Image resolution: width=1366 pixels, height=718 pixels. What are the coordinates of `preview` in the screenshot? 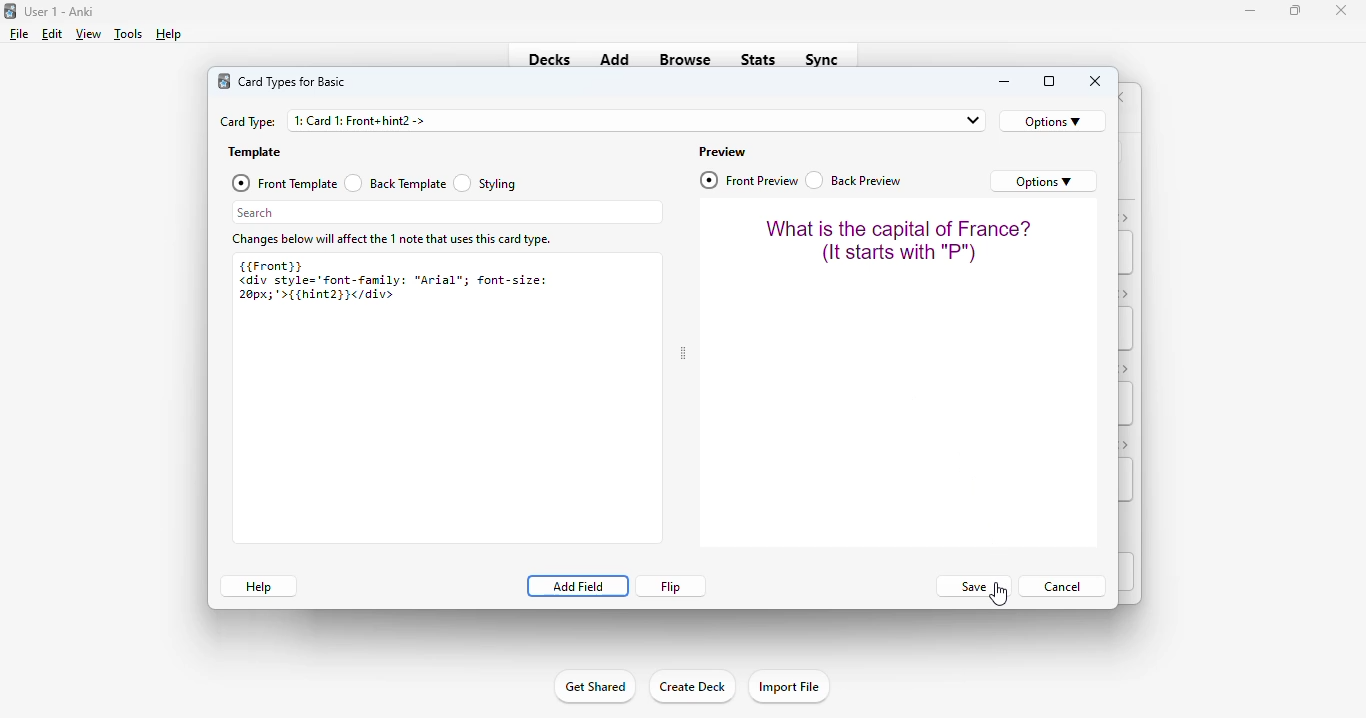 It's located at (723, 152).